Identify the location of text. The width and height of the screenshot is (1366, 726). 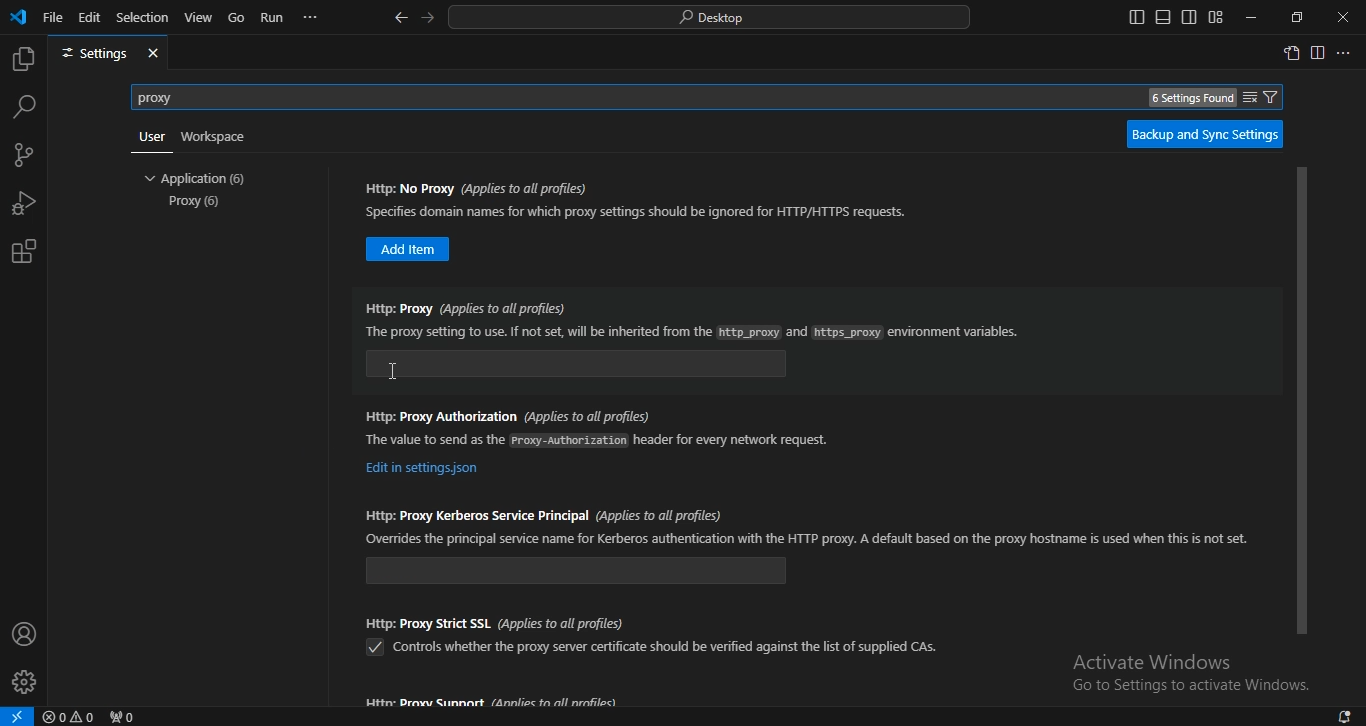
(1193, 688).